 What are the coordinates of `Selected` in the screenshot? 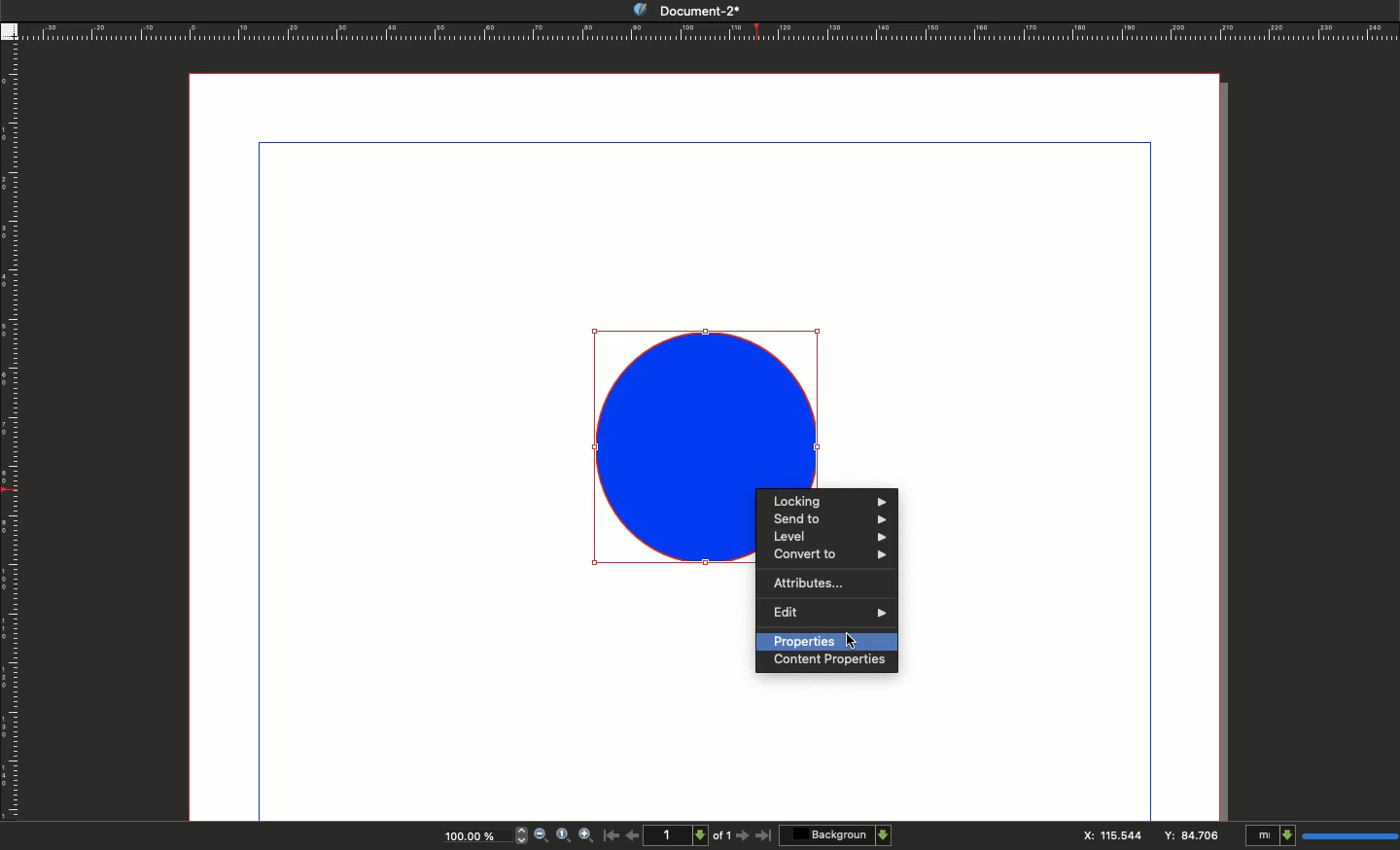 It's located at (673, 446).